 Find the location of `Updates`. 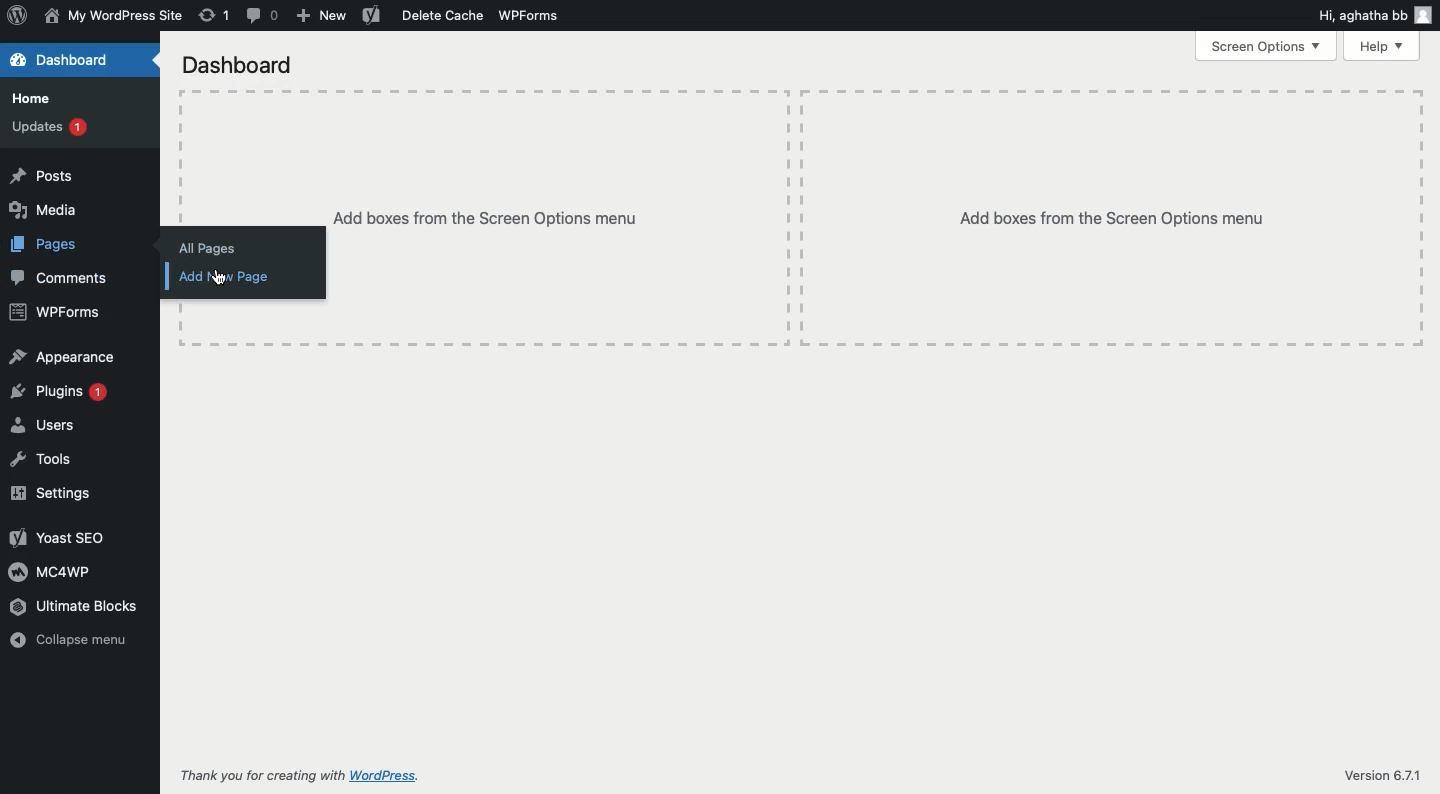

Updates is located at coordinates (49, 125).